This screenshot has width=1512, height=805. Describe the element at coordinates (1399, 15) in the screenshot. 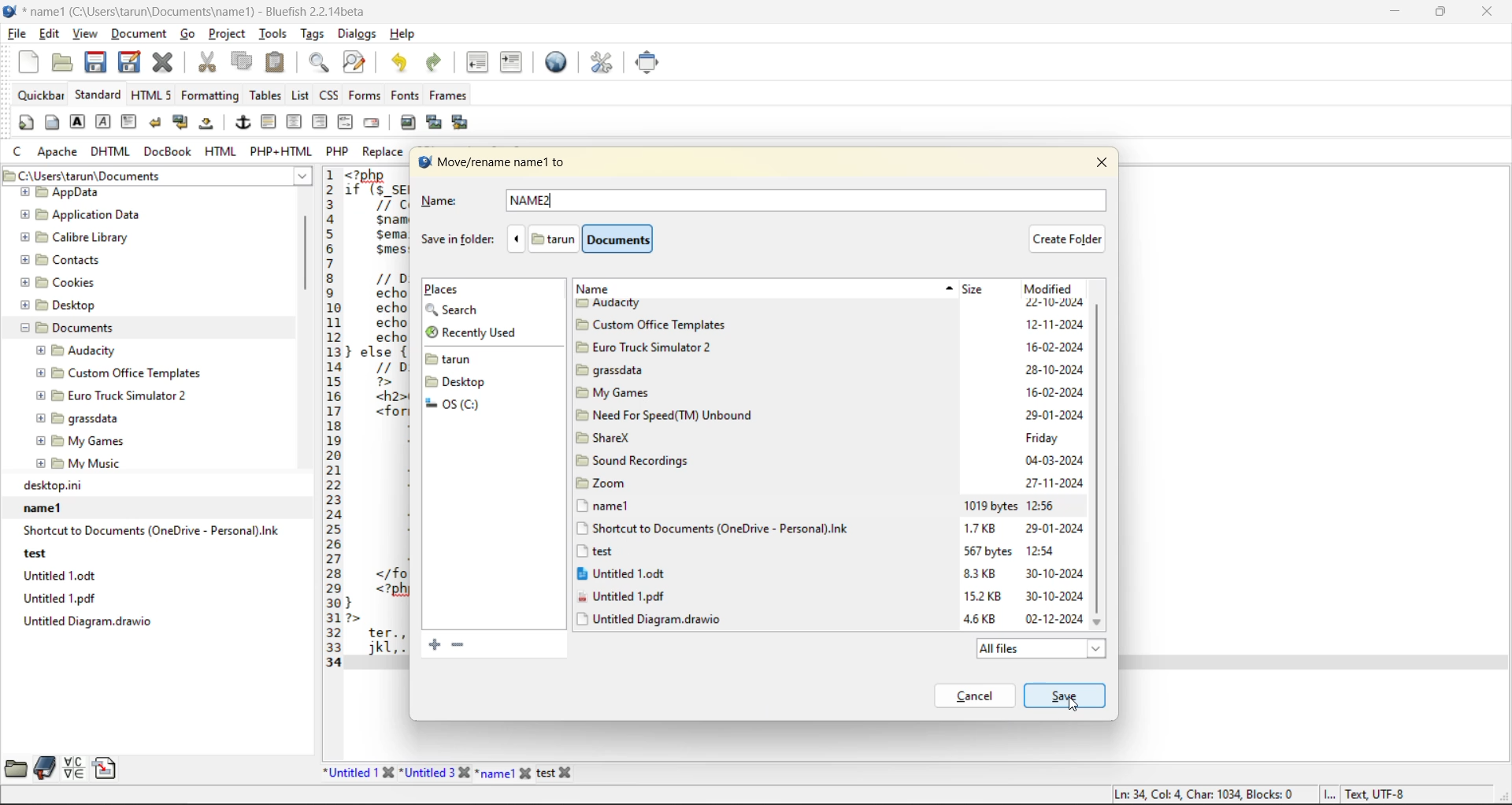

I see `minimize` at that location.